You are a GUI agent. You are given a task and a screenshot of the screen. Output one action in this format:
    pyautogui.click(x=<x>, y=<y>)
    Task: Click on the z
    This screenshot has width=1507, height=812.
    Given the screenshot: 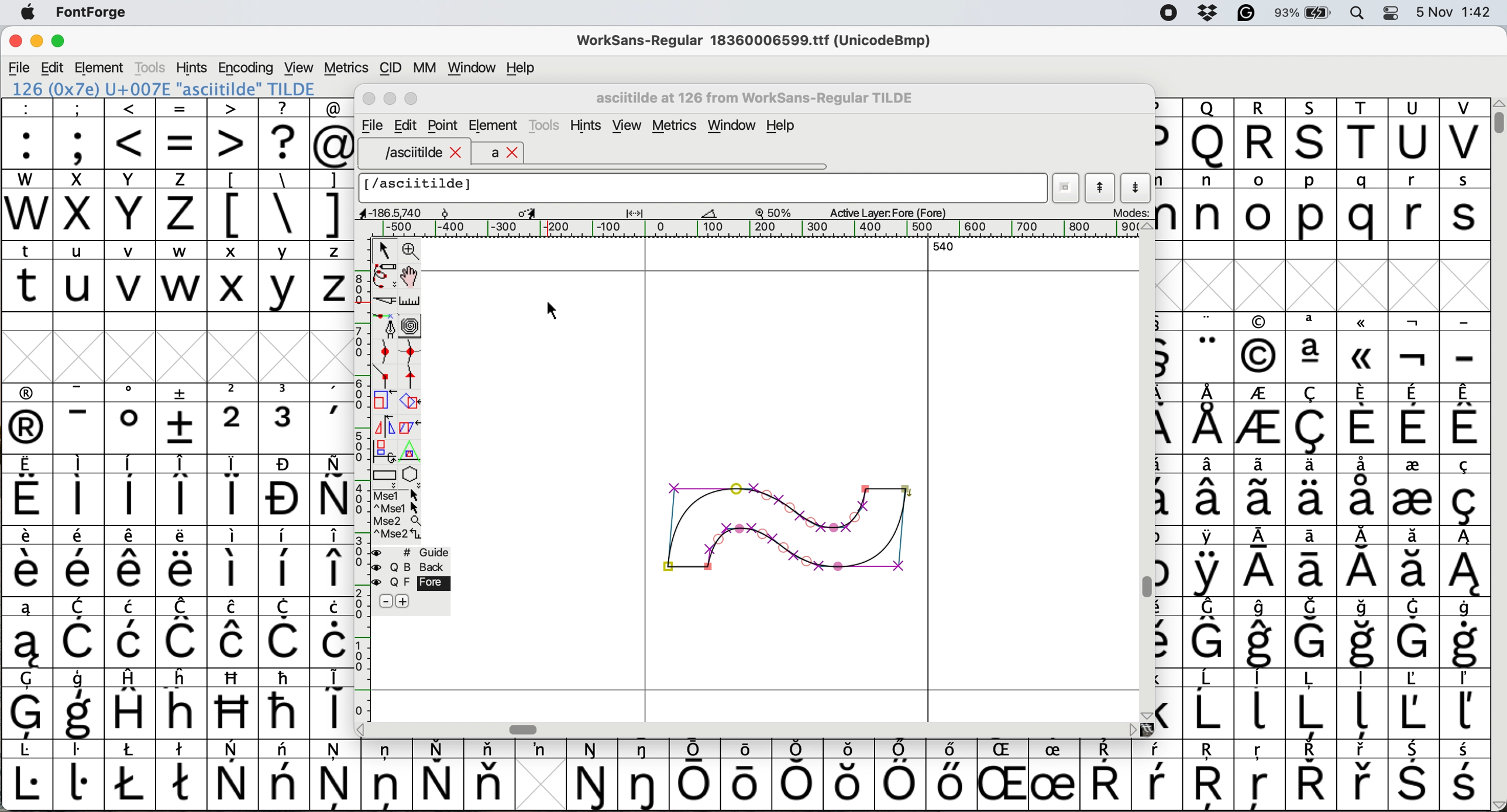 What is the action you would take?
    pyautogui.click(x=181, y=204)
    